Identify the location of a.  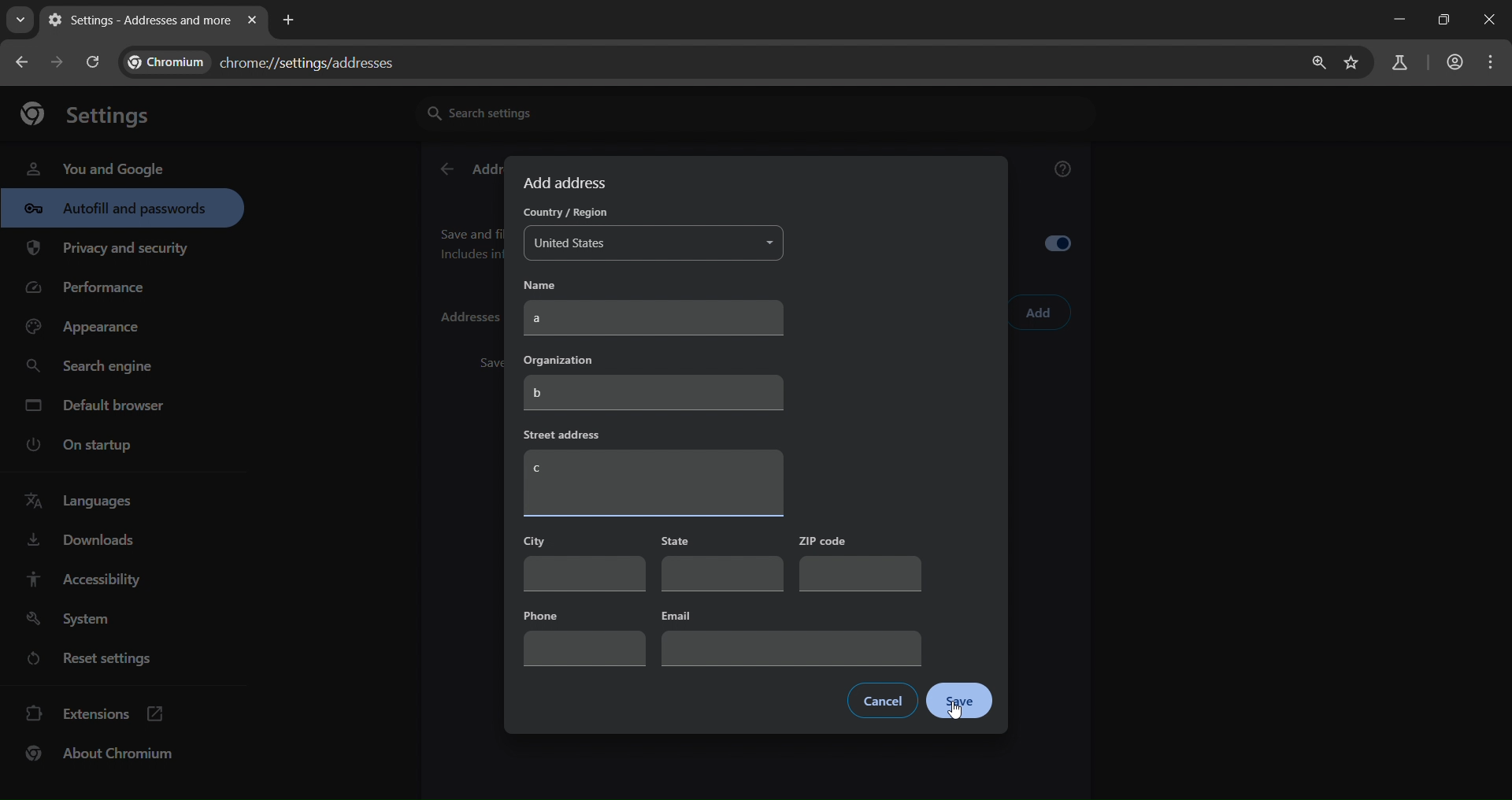
(655, 320).